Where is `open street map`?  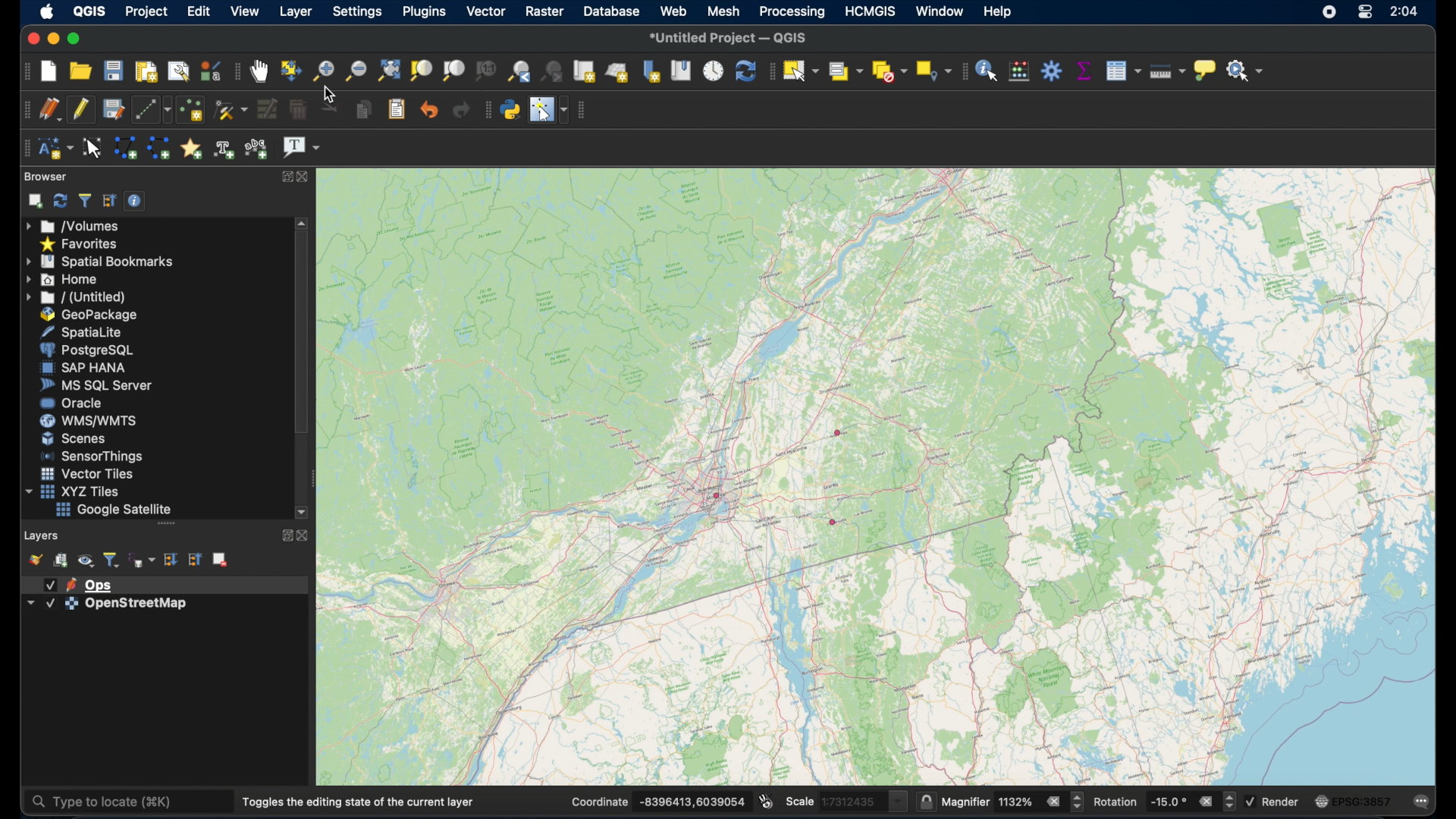
open street map is located at coordinates (507, 601).